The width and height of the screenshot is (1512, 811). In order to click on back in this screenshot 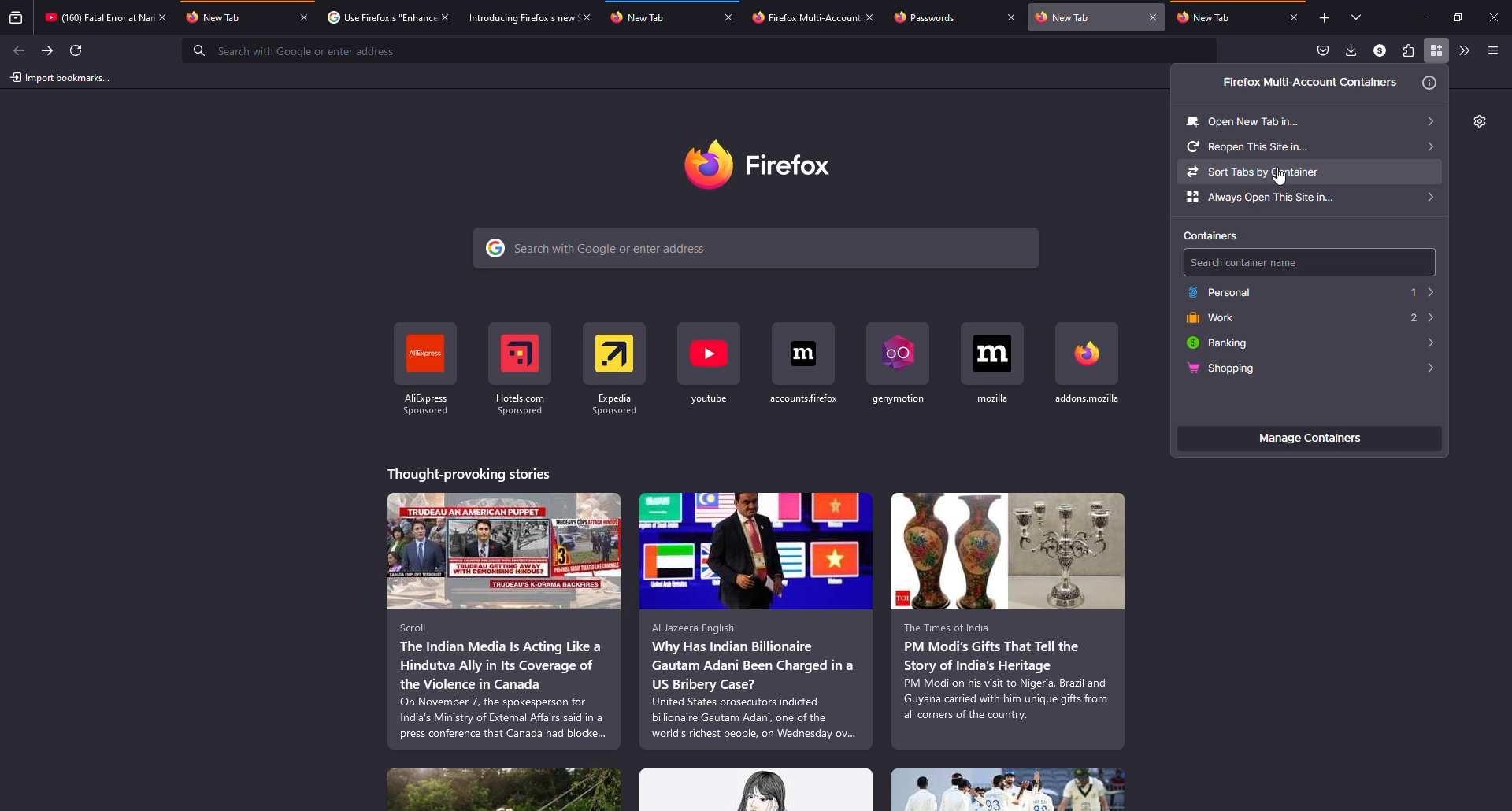, I will do `click(20, 49)`.